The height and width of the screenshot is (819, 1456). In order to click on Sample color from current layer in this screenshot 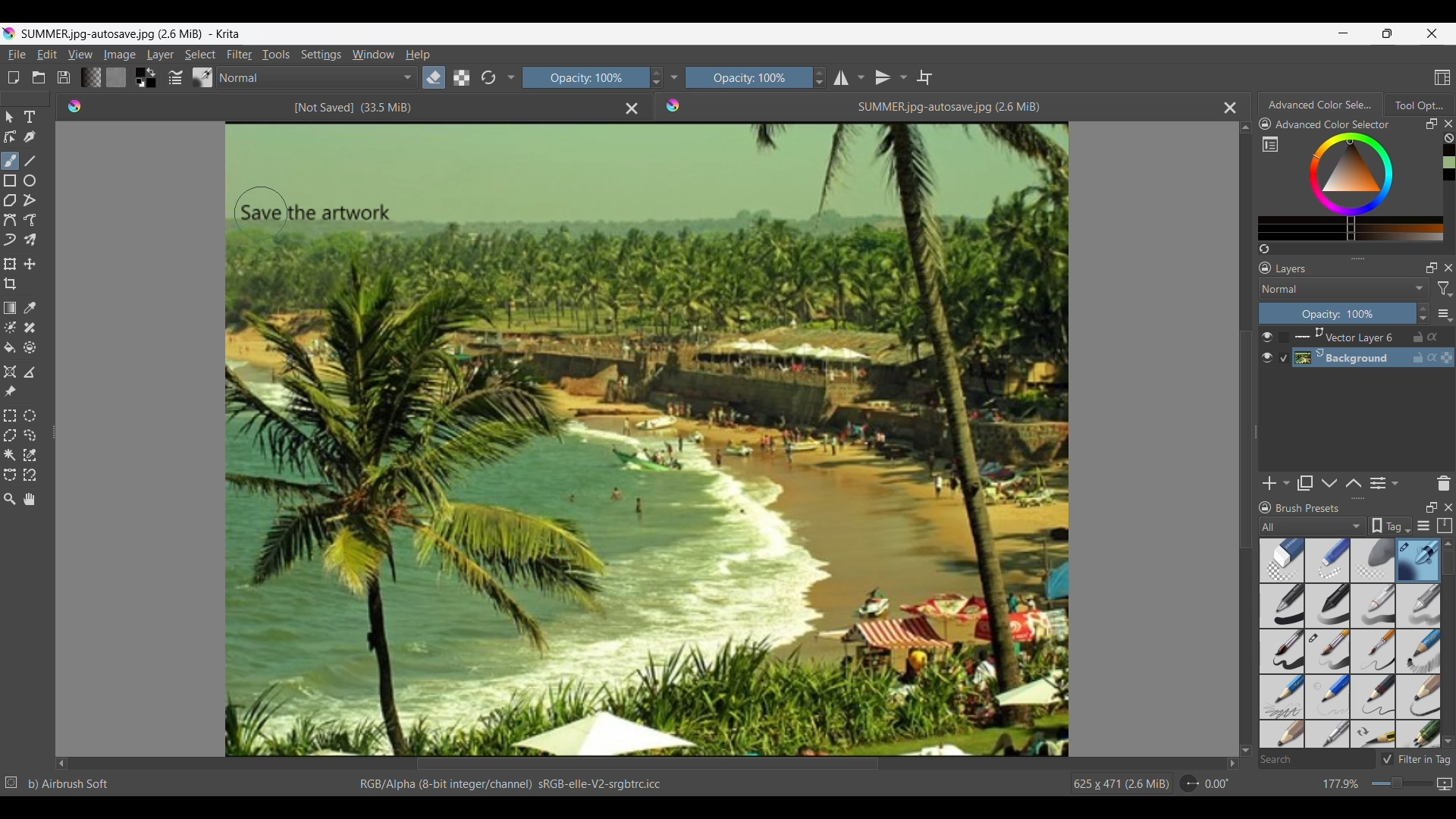, I will do `click(30, 309)`.